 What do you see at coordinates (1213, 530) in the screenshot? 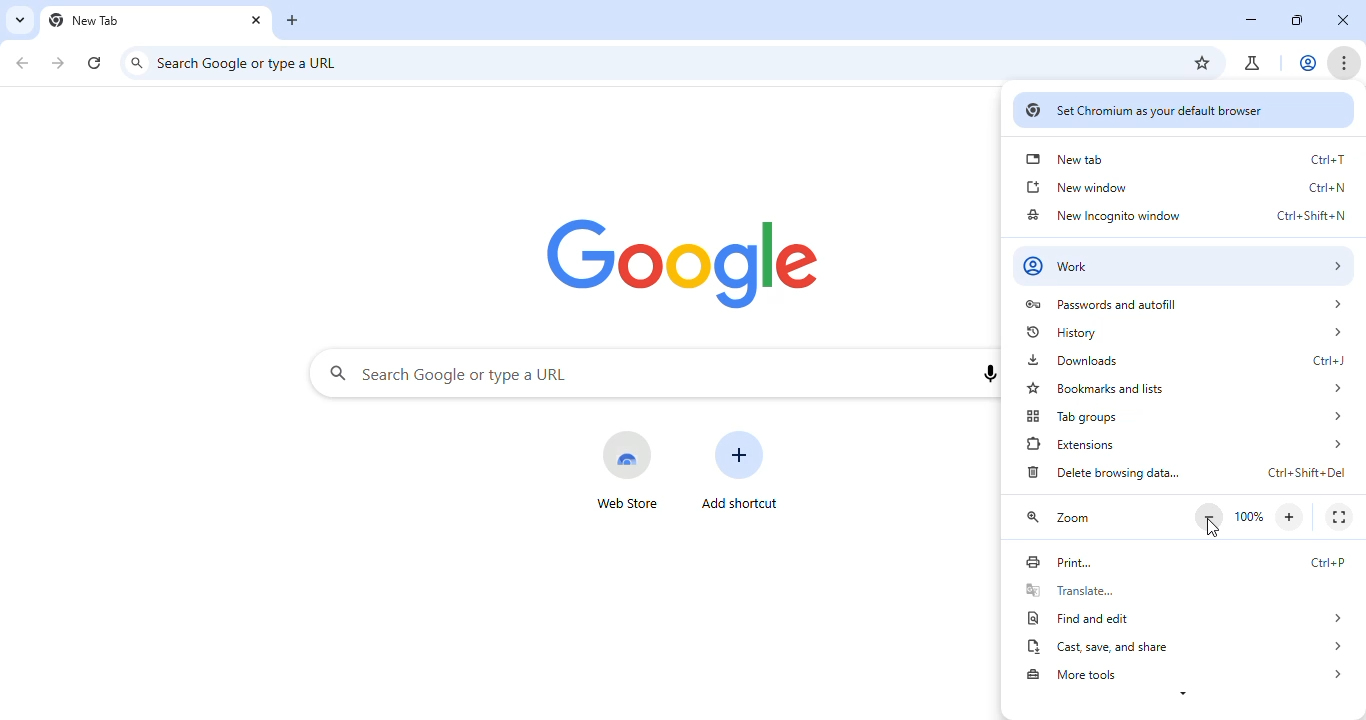
I see `cursor movement` at bounding box center [1213, 530].